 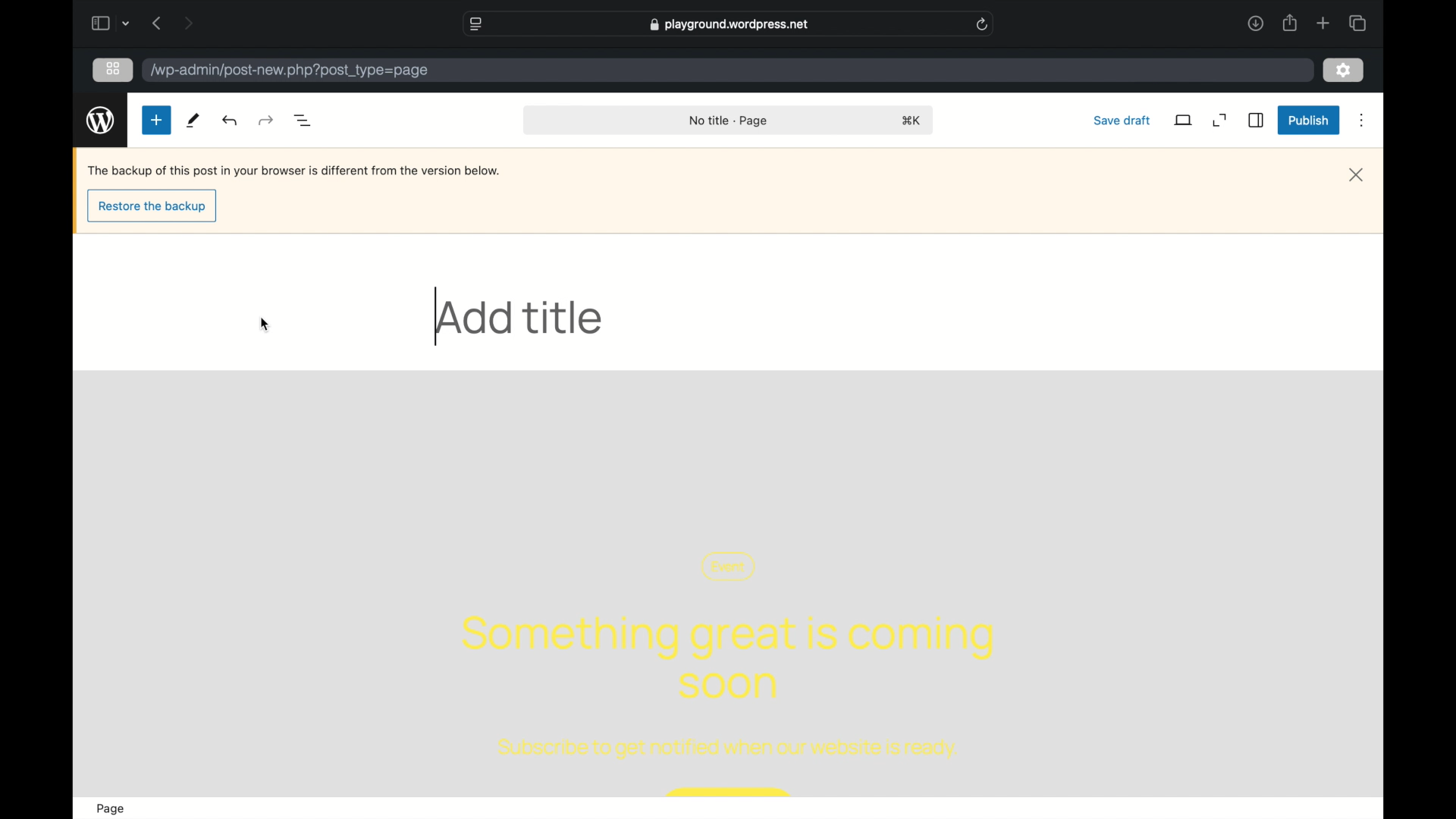 What do you see at coordinates (1257, 120) in the screenshot?
I see `sidebar` at bounding box center [1257, 120].